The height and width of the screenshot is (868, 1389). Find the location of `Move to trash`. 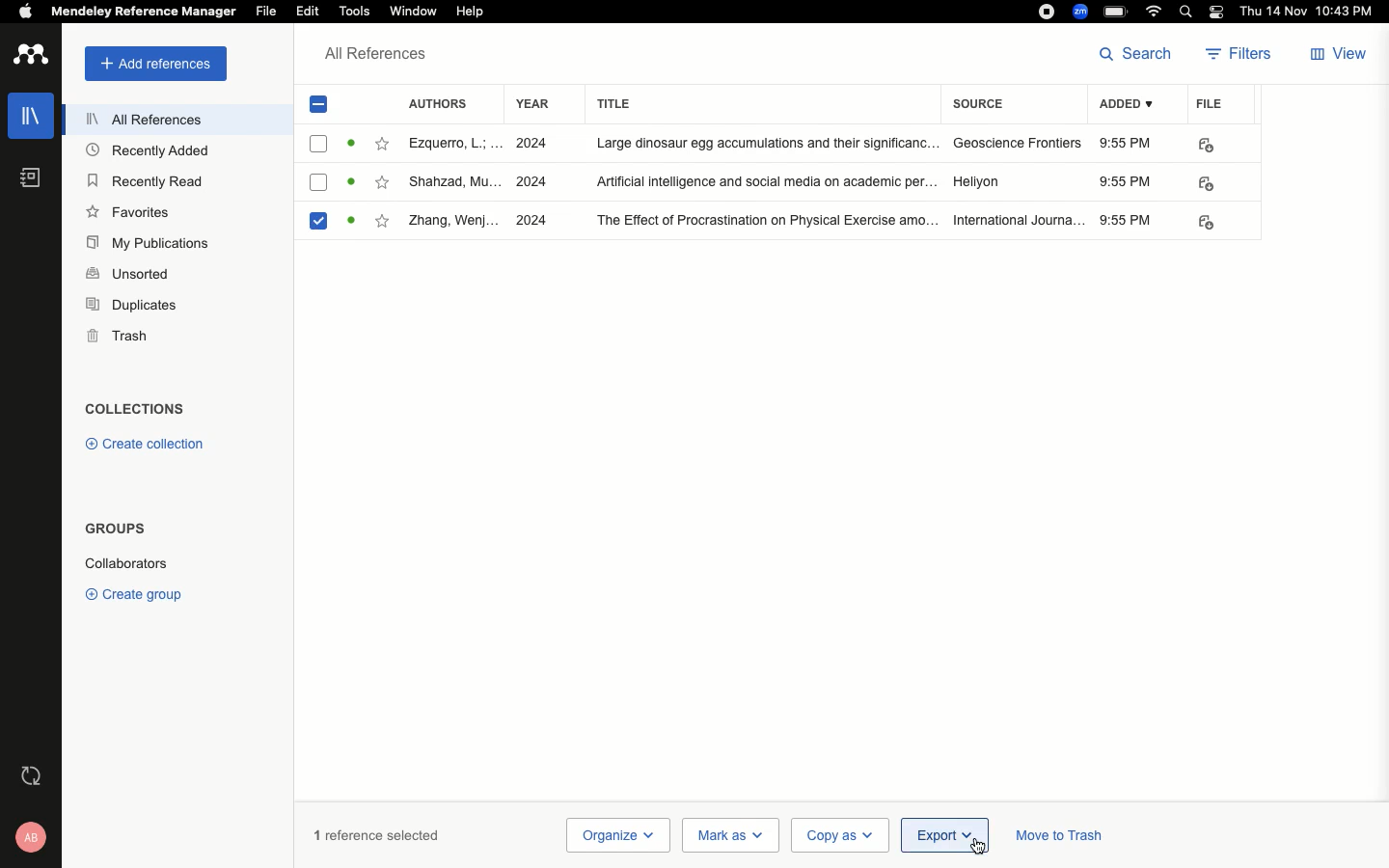

Move to trash is located at coordinates (1059, 838).